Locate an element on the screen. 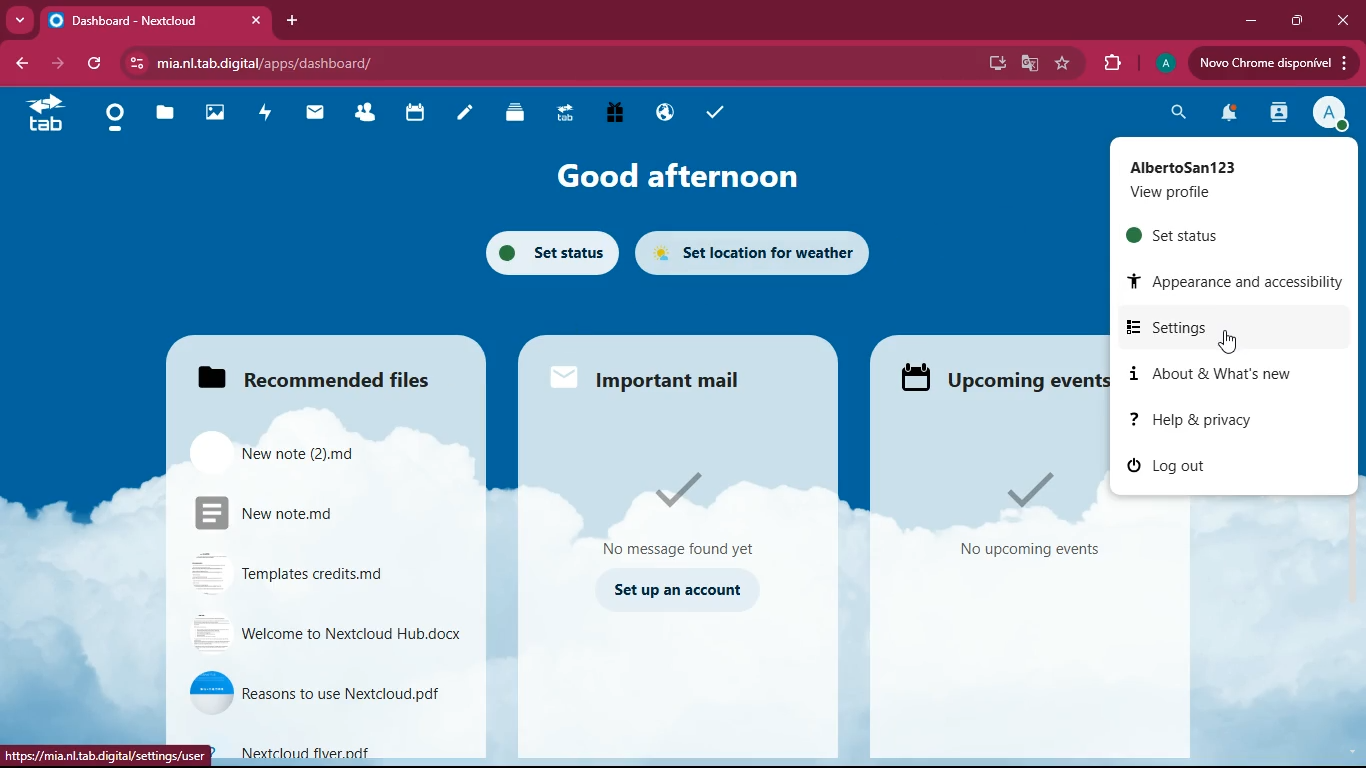 The width and height of the screenshot is (1366, 768). calendar is located at coordinates (412, 116).